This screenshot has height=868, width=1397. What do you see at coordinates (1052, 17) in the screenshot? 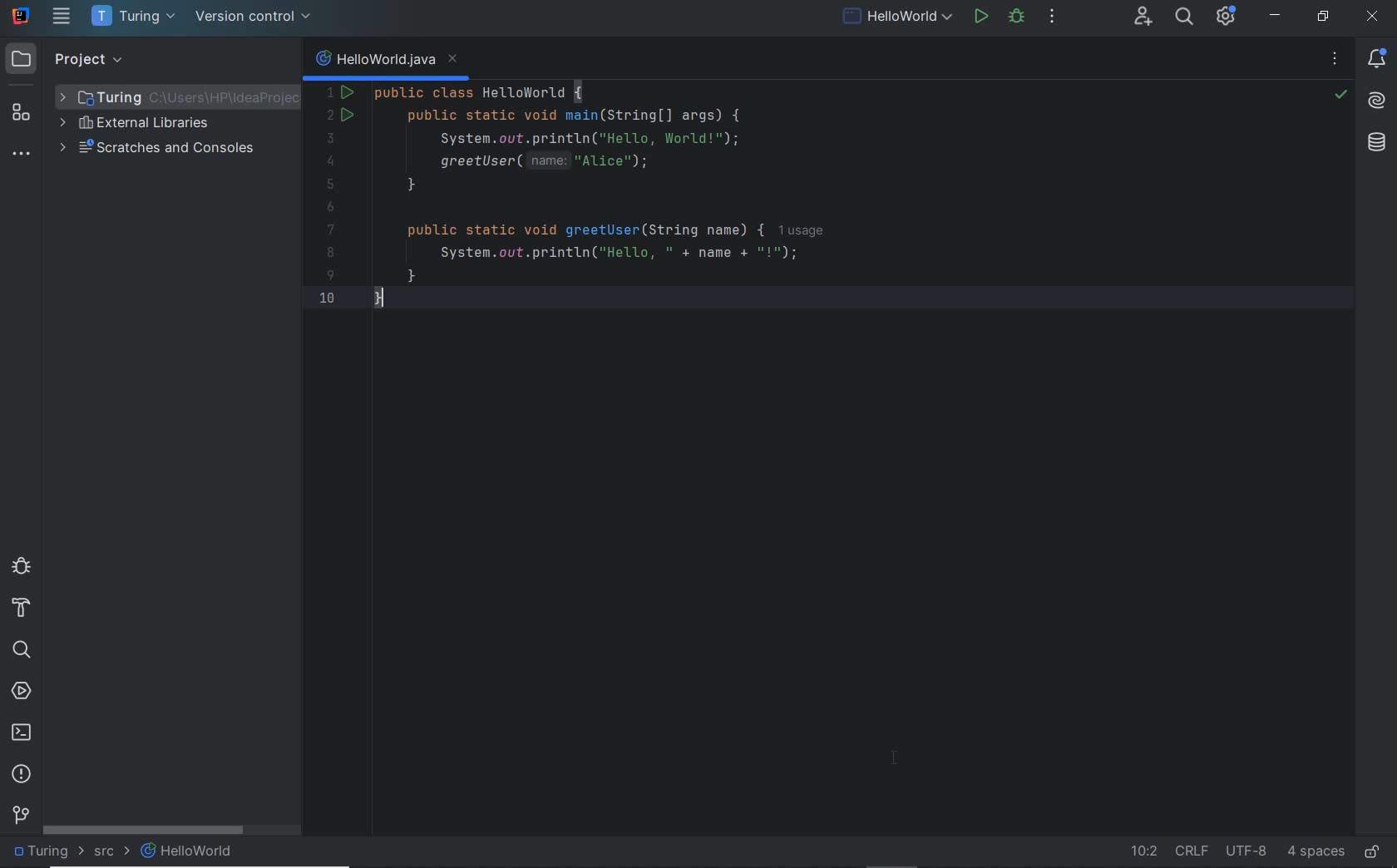
I see `more actions` at bounding box center [1052, 17].